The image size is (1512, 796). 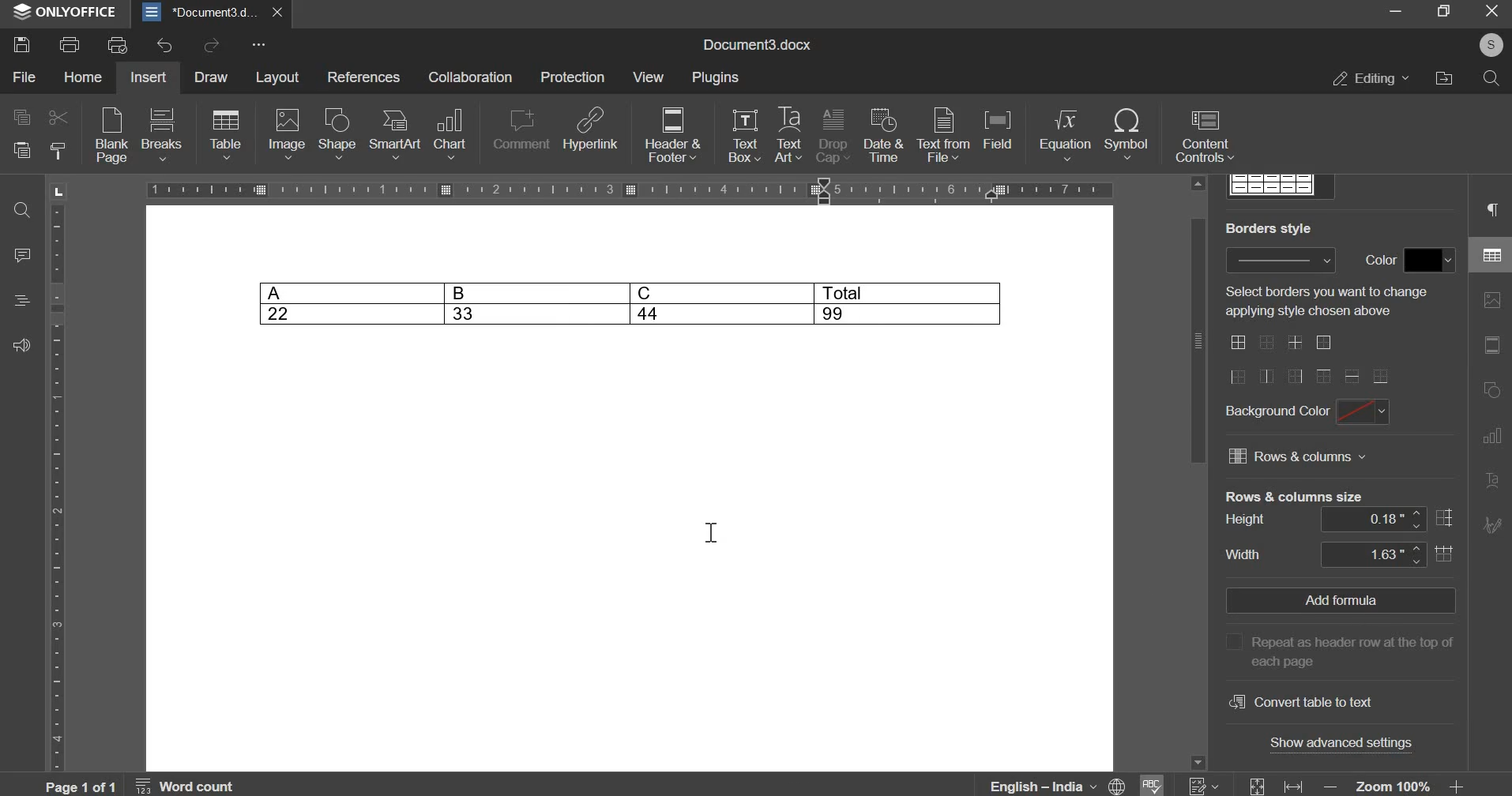 What do you see at coordinates (1489, 252) in the screenshot?
I see `table settings` at bounding box center [1489, 252].